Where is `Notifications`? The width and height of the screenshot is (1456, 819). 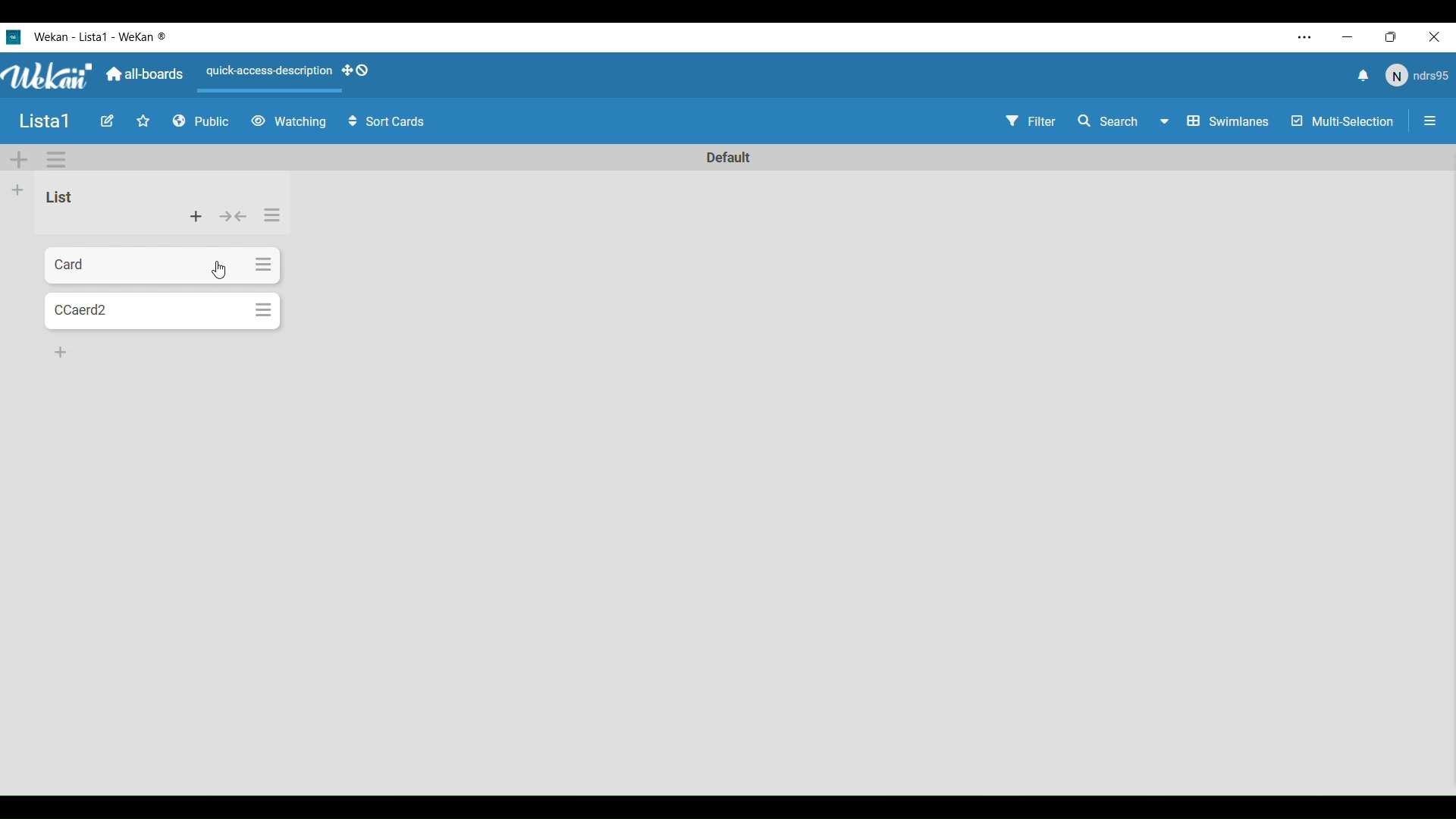 Notifications is located at coordinates (1361, 77).